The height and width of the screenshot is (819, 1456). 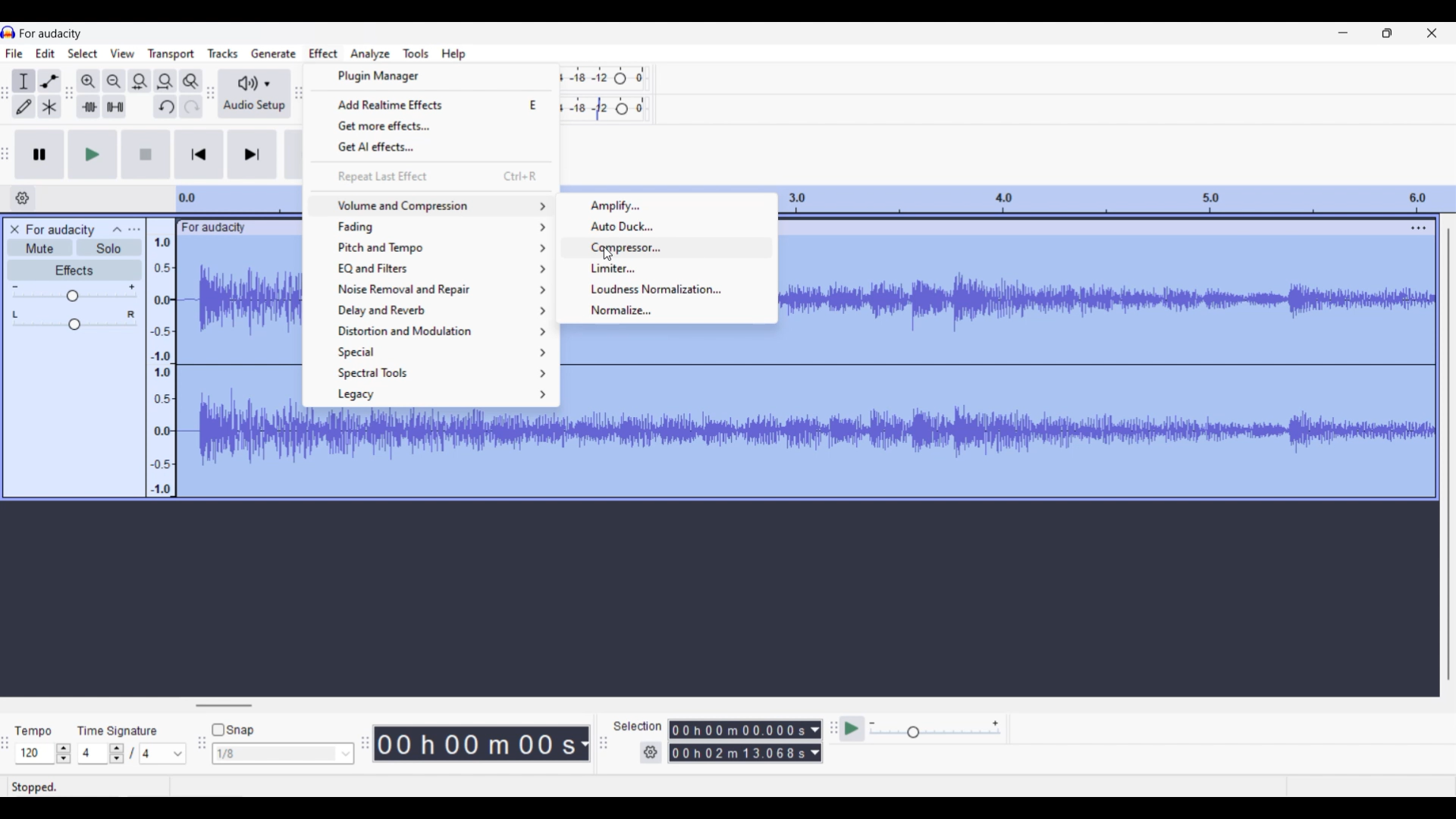 I want to click on Timeline options, so click(x=22, y=198).